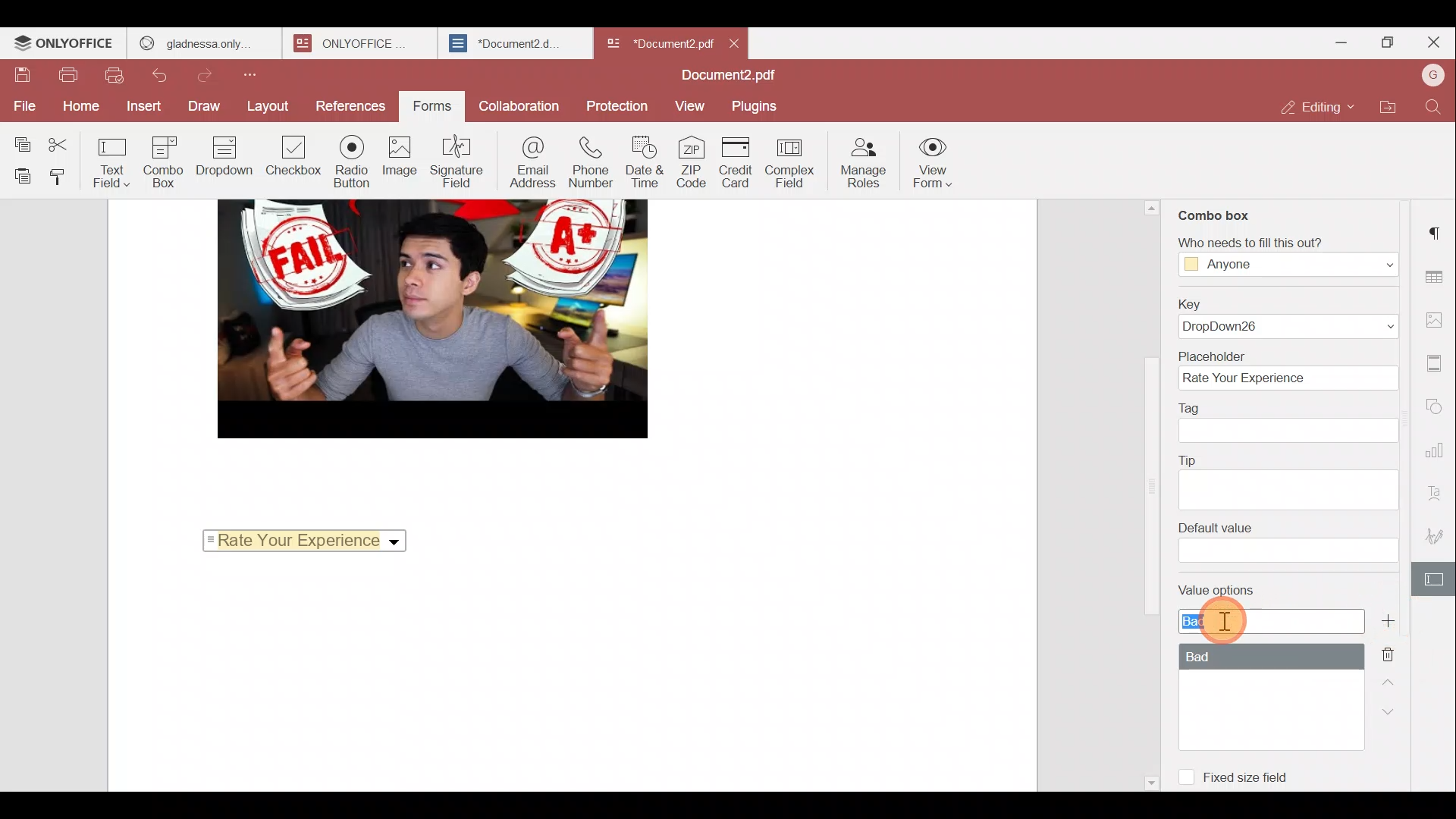  What do you see at coordinates (1289, 479) in the screenshot?
I see `Tip` at bounding box center [1289, 479].